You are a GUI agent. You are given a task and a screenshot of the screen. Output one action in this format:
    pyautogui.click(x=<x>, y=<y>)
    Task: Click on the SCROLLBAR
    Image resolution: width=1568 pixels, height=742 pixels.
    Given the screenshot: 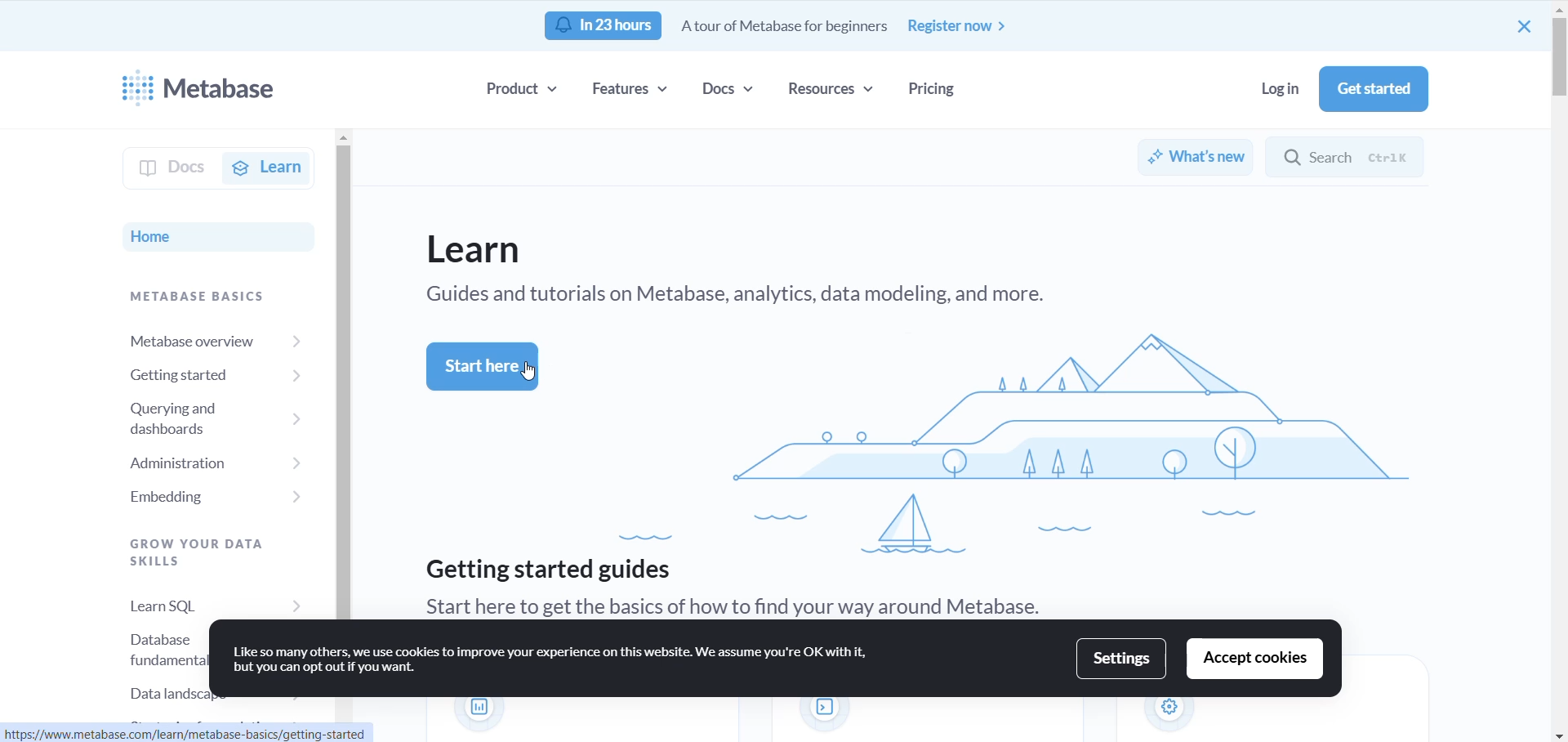 What is the action you would take?
    pyautogui.click(x=340, y=382)
    